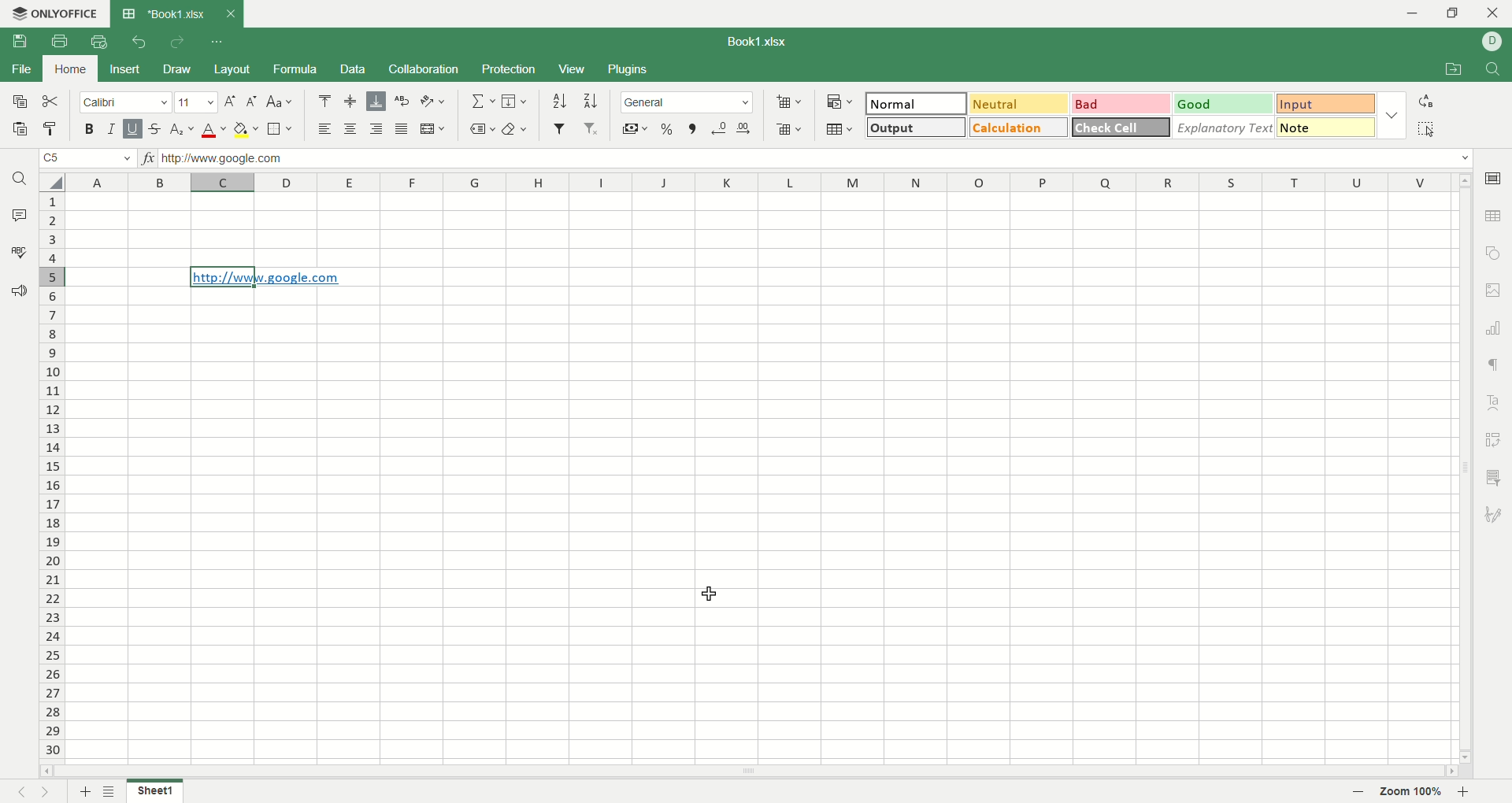 The image size is (1512, 803). I want to click on justified, so click(404, 130).